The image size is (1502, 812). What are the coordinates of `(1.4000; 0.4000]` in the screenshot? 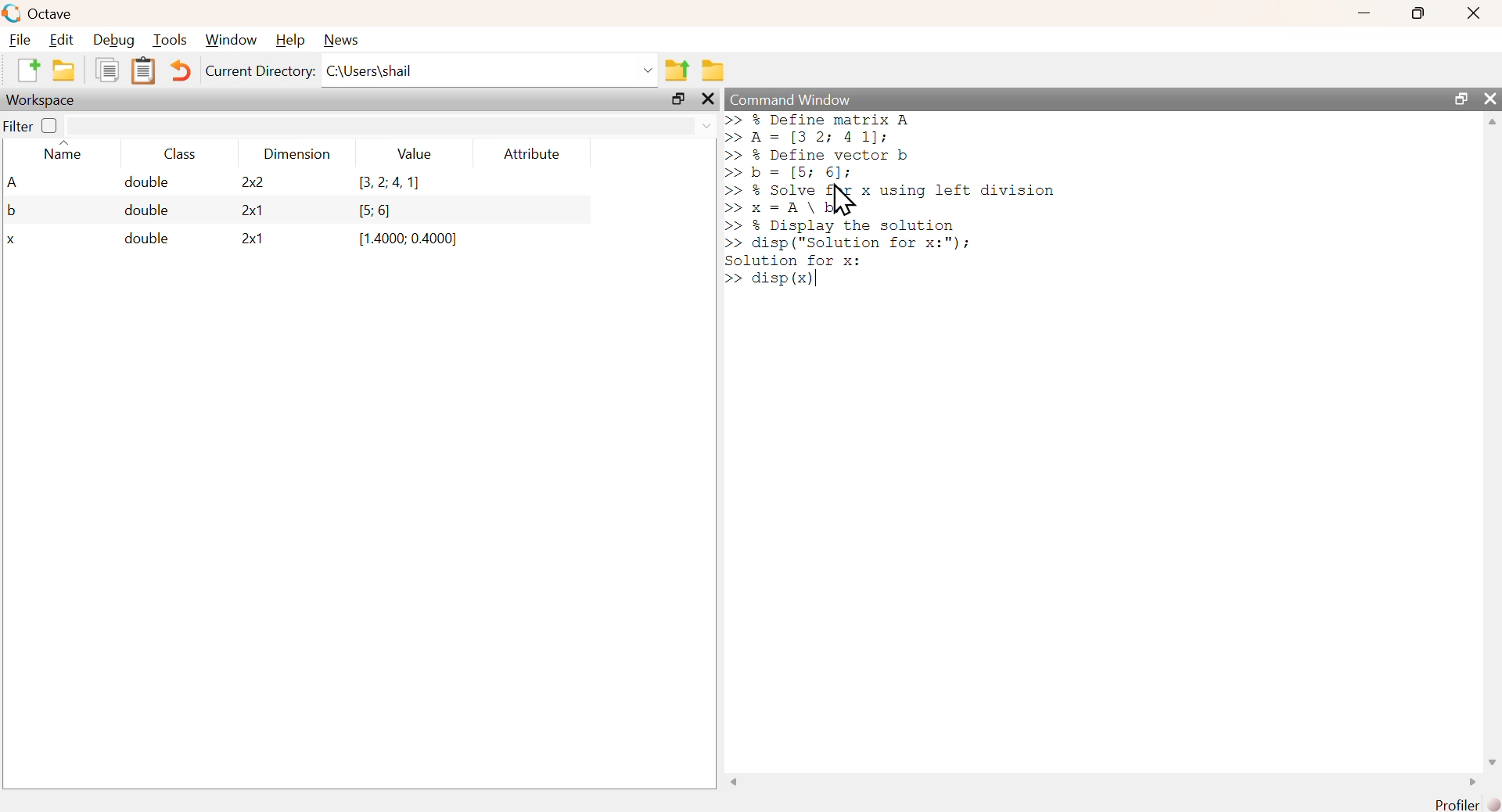 It's located at (401, 240).